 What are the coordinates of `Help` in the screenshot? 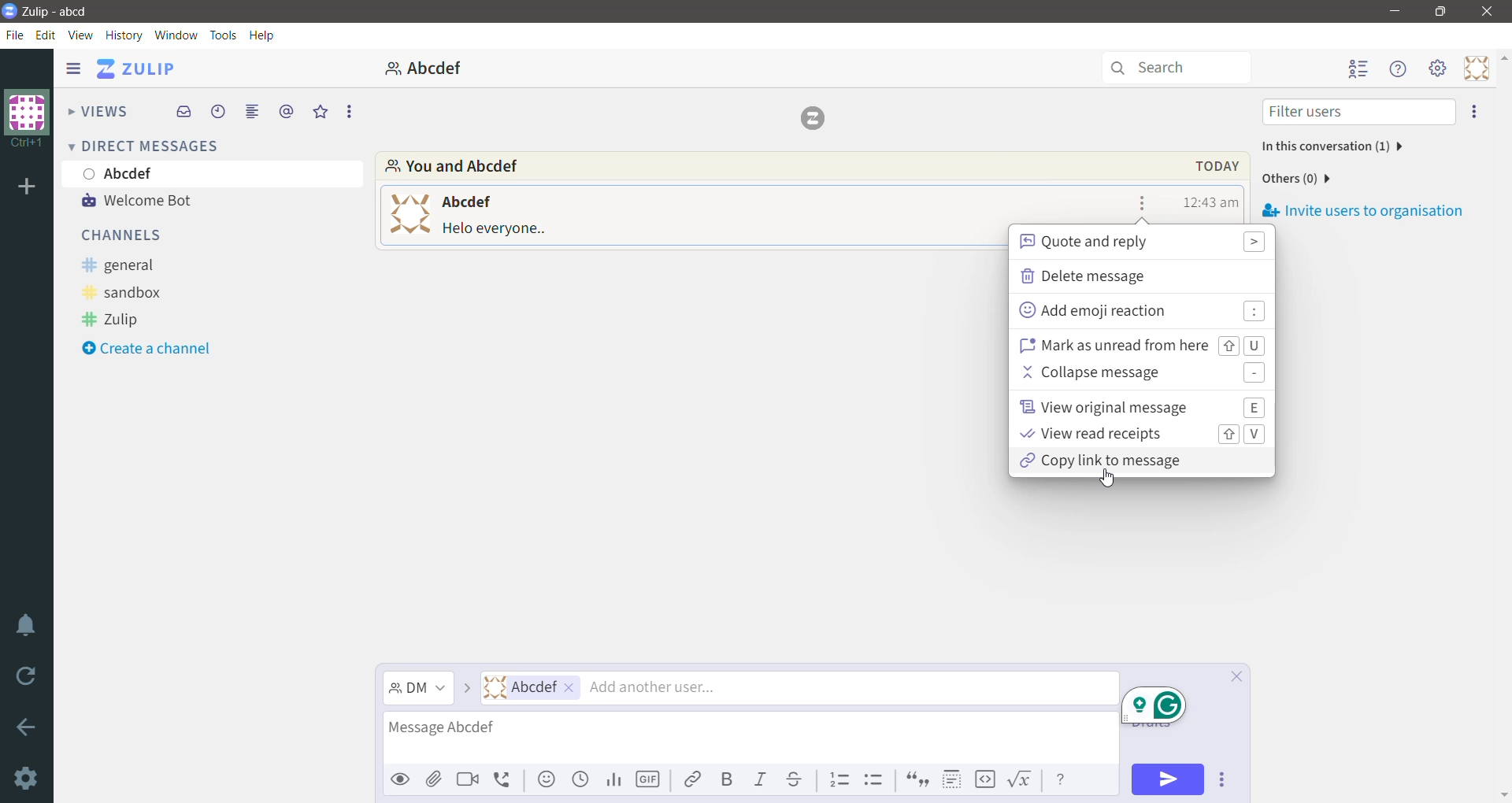 It's located at (265, 35).